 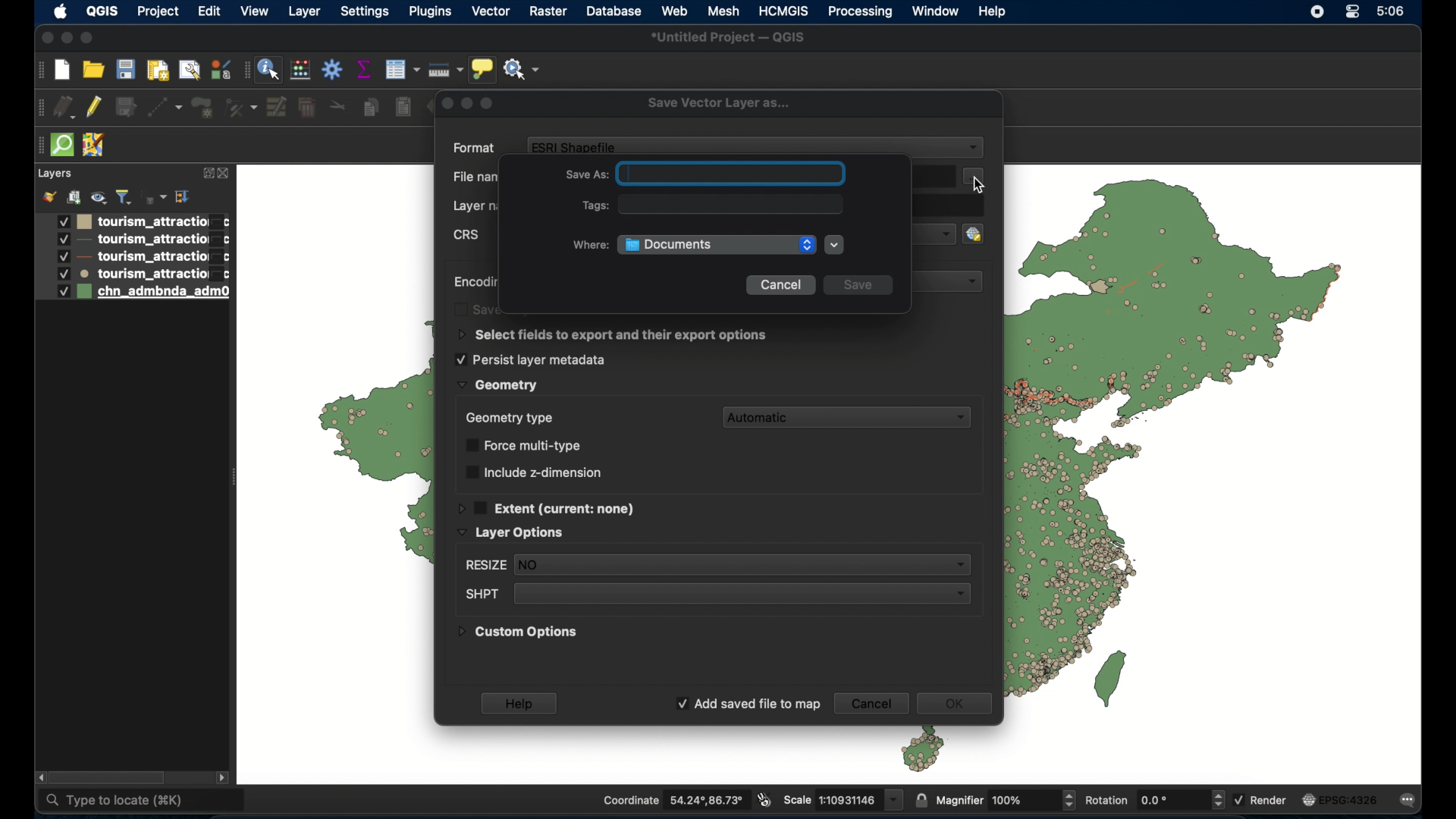 I want to click on identify feature, so click(x=268, y=69).